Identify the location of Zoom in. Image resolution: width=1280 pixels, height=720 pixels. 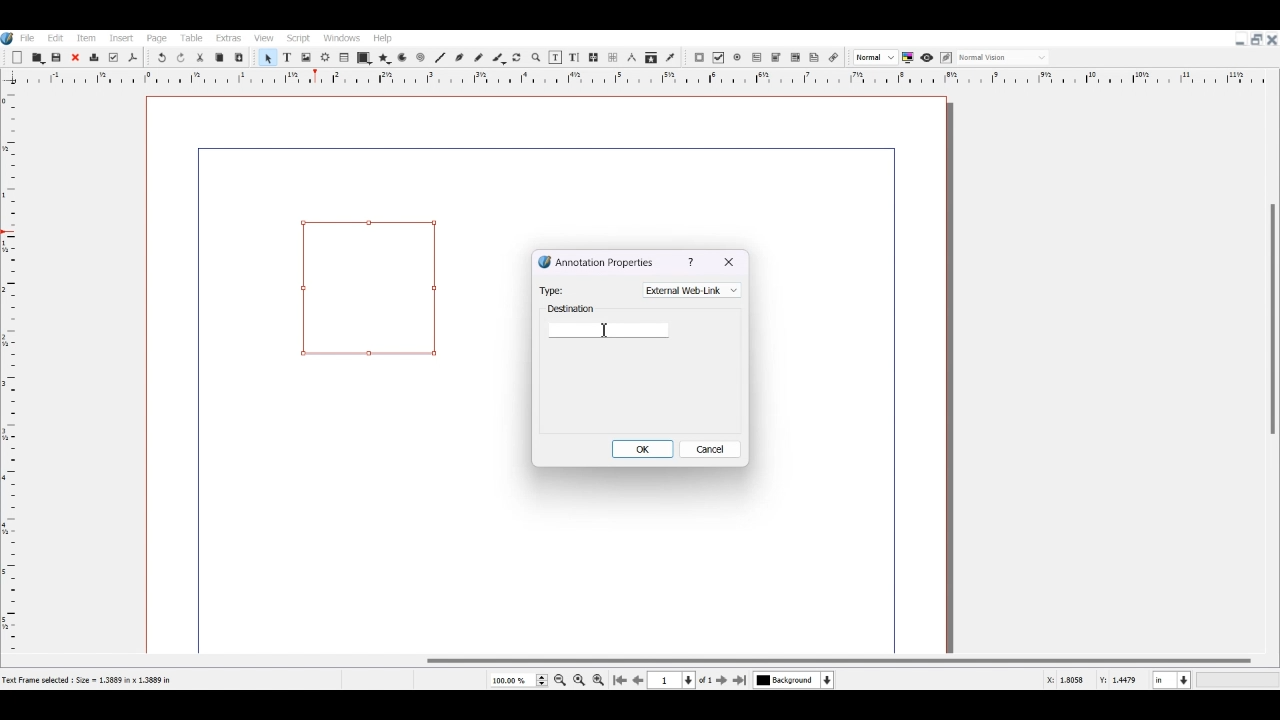
(598, 679).